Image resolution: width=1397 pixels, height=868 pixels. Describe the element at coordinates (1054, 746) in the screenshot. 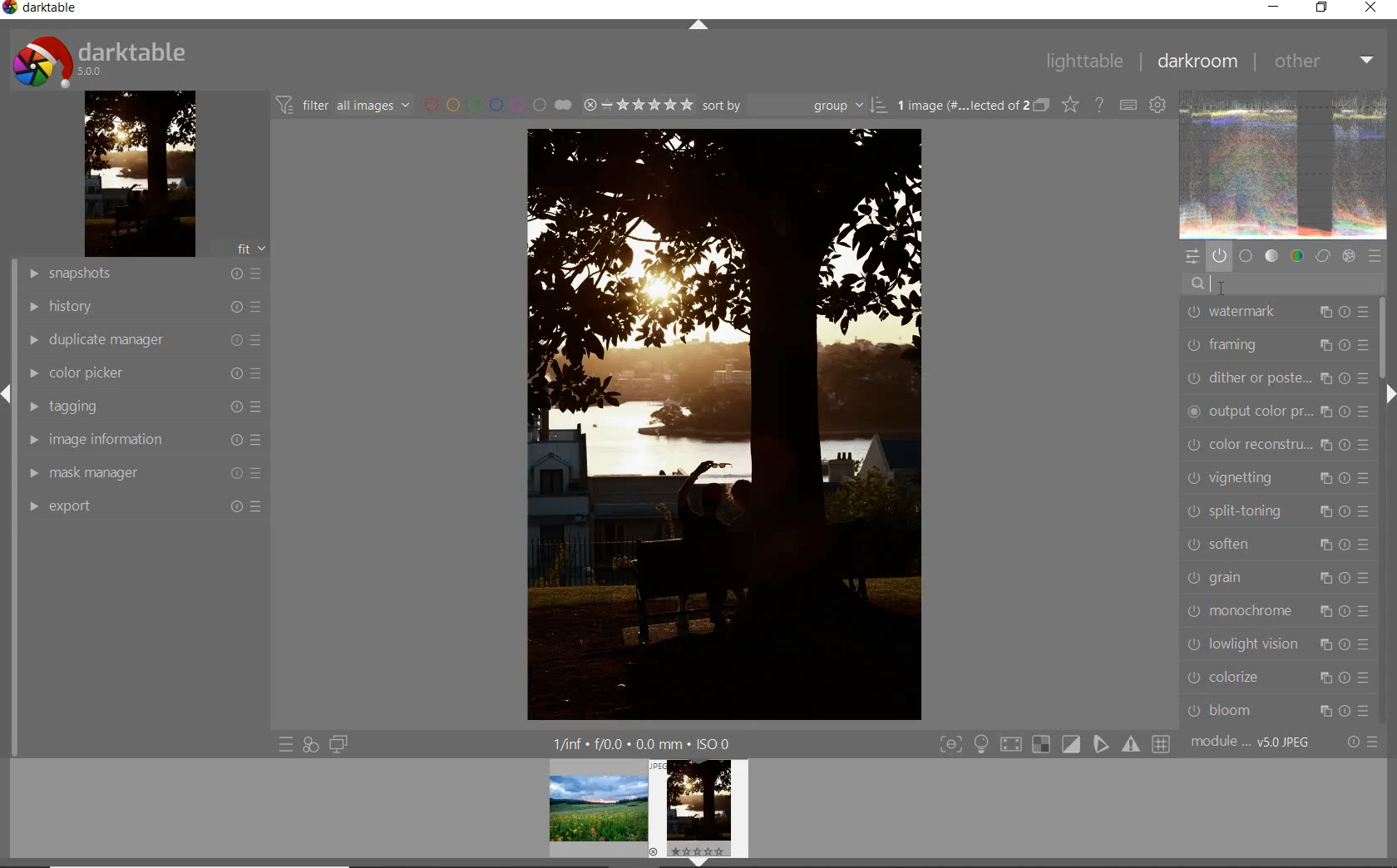

I see `toggle modes` at that location.